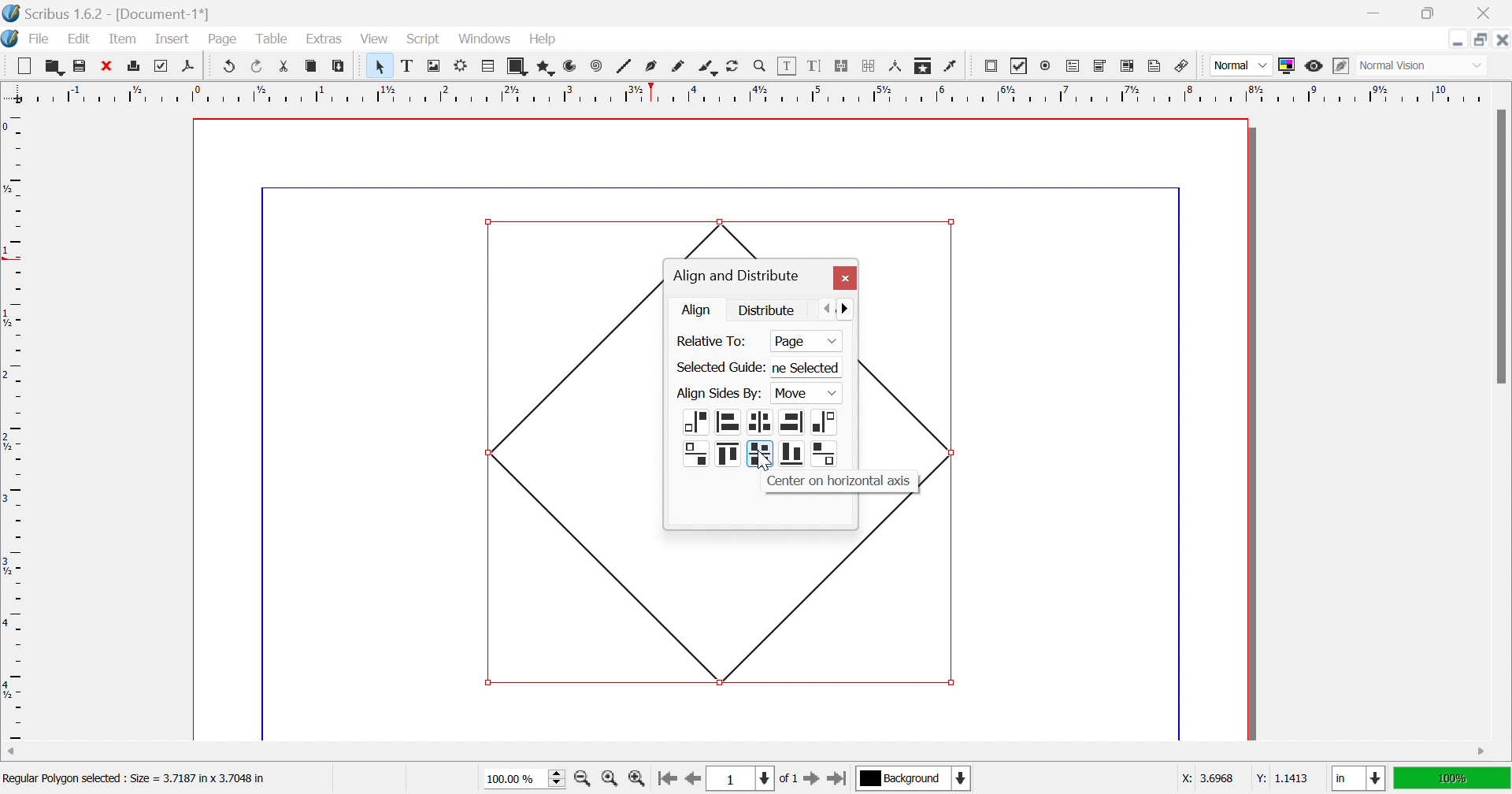 The width and height of the screenshot is (1512, 794). I want to click on Center on horizontal axis, so click(836, 481).